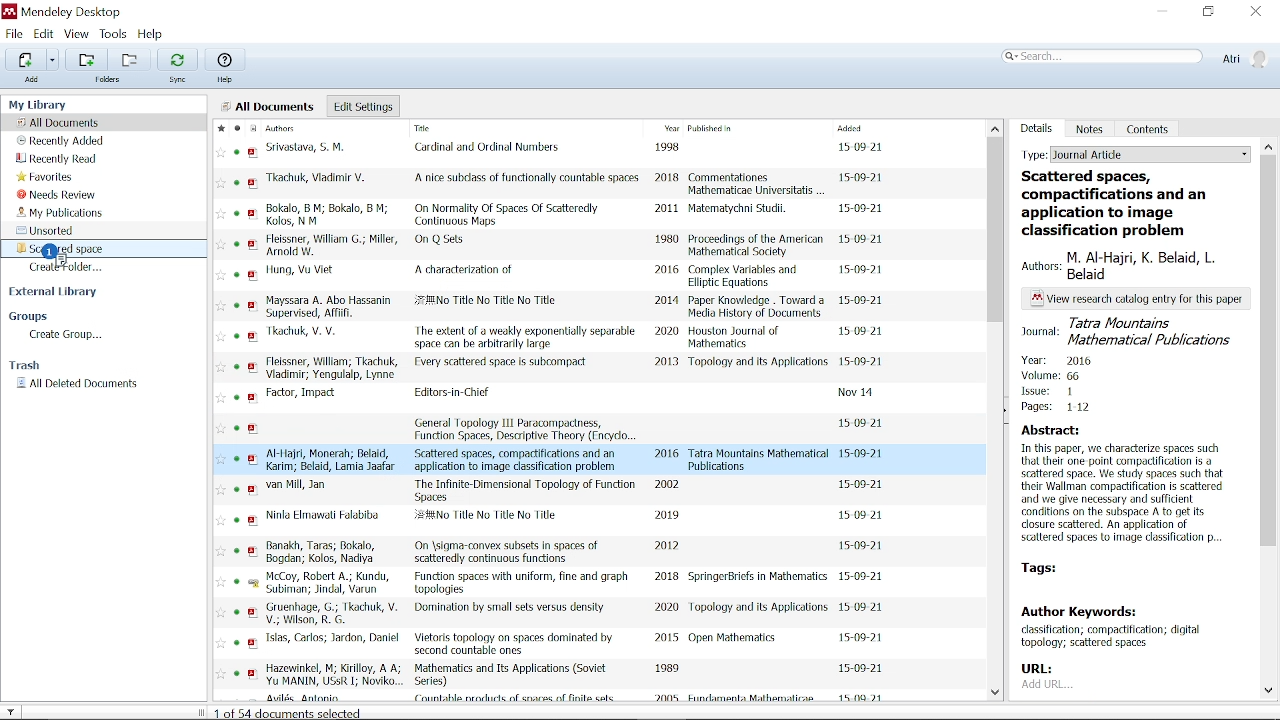 This screenshot has width=1280, height=720. Describe the element at coordinates (670, 148) in the screenshot. I see `1998` at that location.